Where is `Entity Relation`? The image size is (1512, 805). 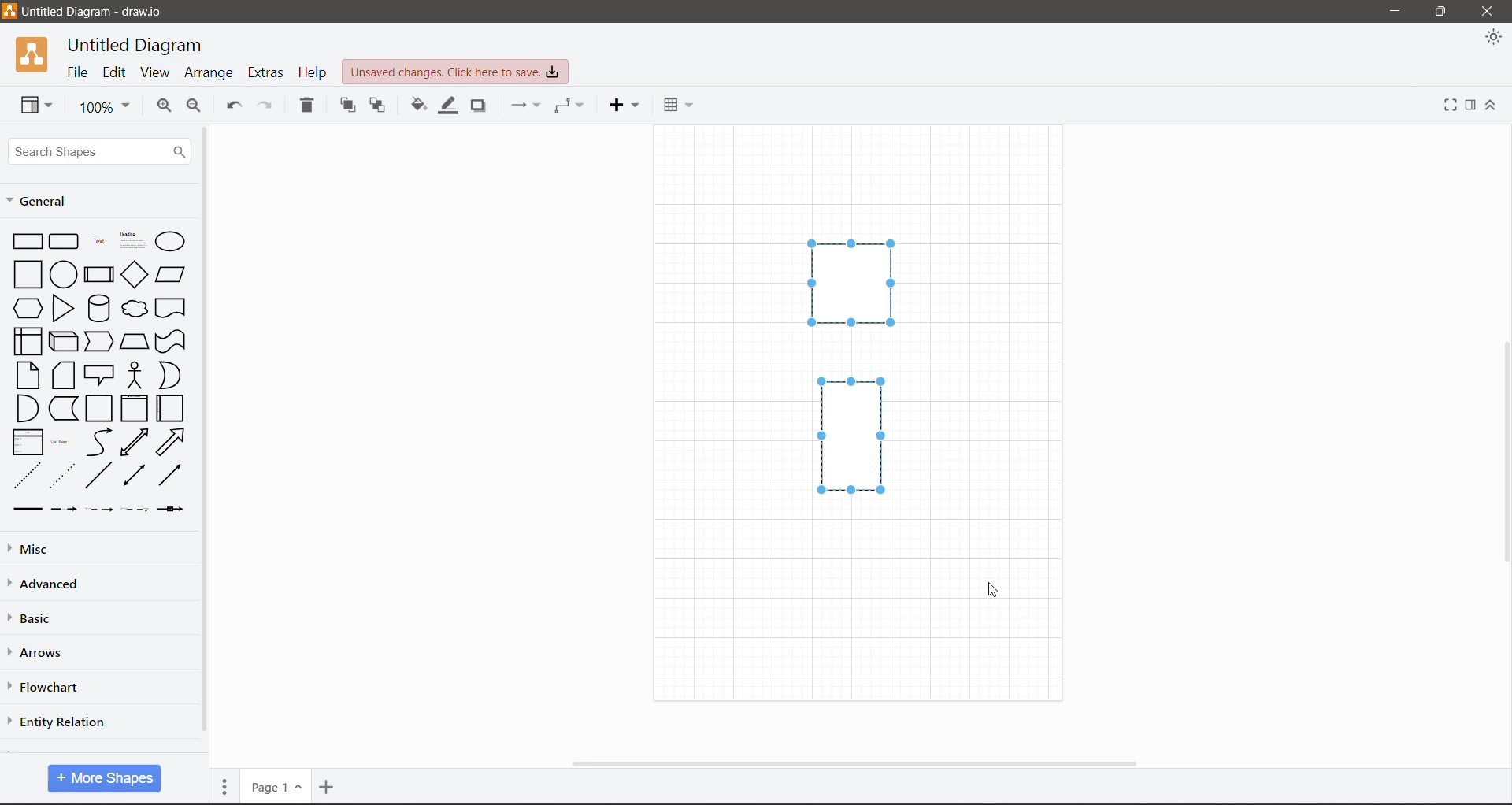 Entity Relation is located at coordinates (57, 721).